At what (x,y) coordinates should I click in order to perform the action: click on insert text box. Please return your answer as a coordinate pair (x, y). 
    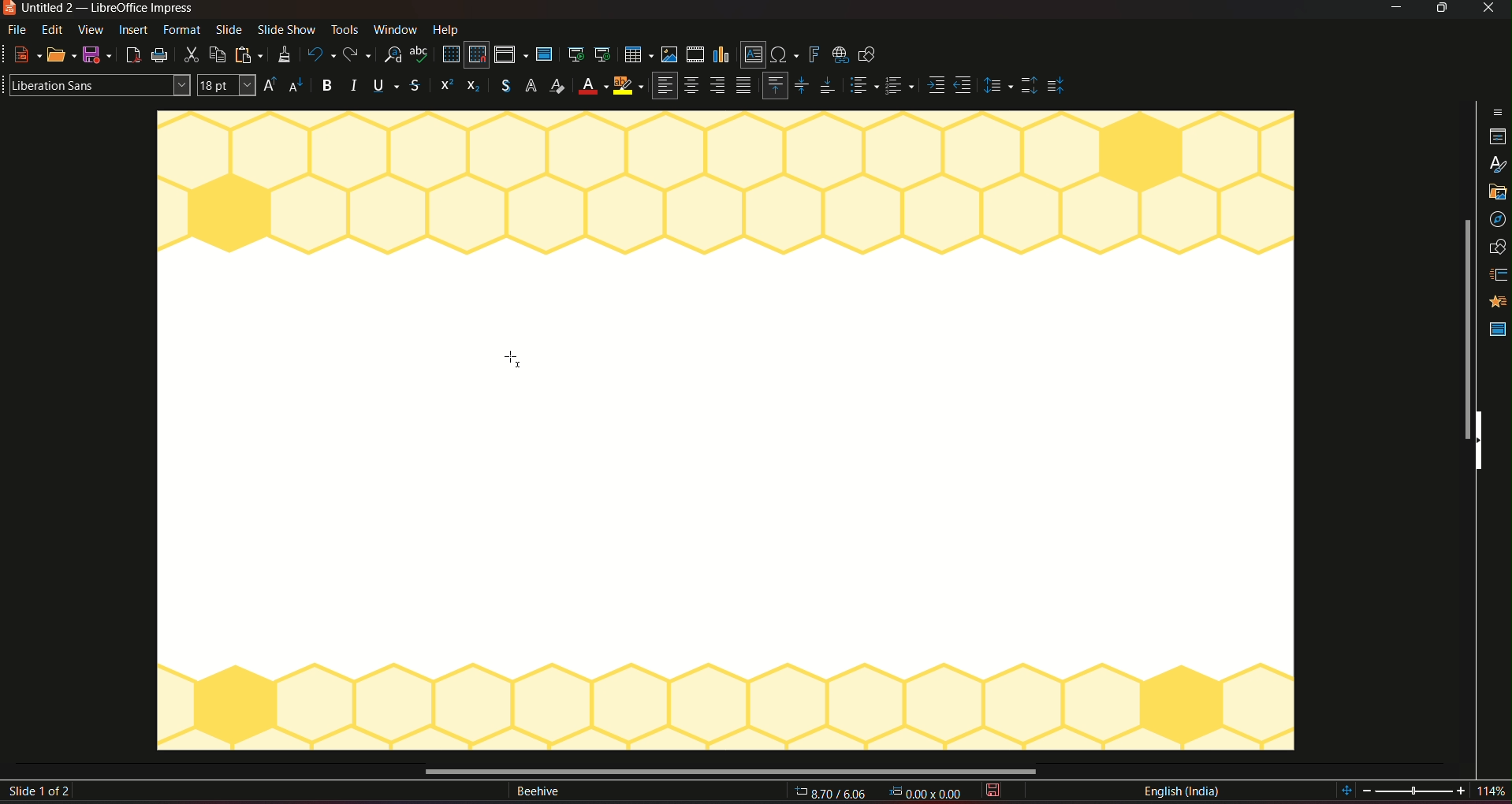
    Looking at the image, I should click on (752, 55).